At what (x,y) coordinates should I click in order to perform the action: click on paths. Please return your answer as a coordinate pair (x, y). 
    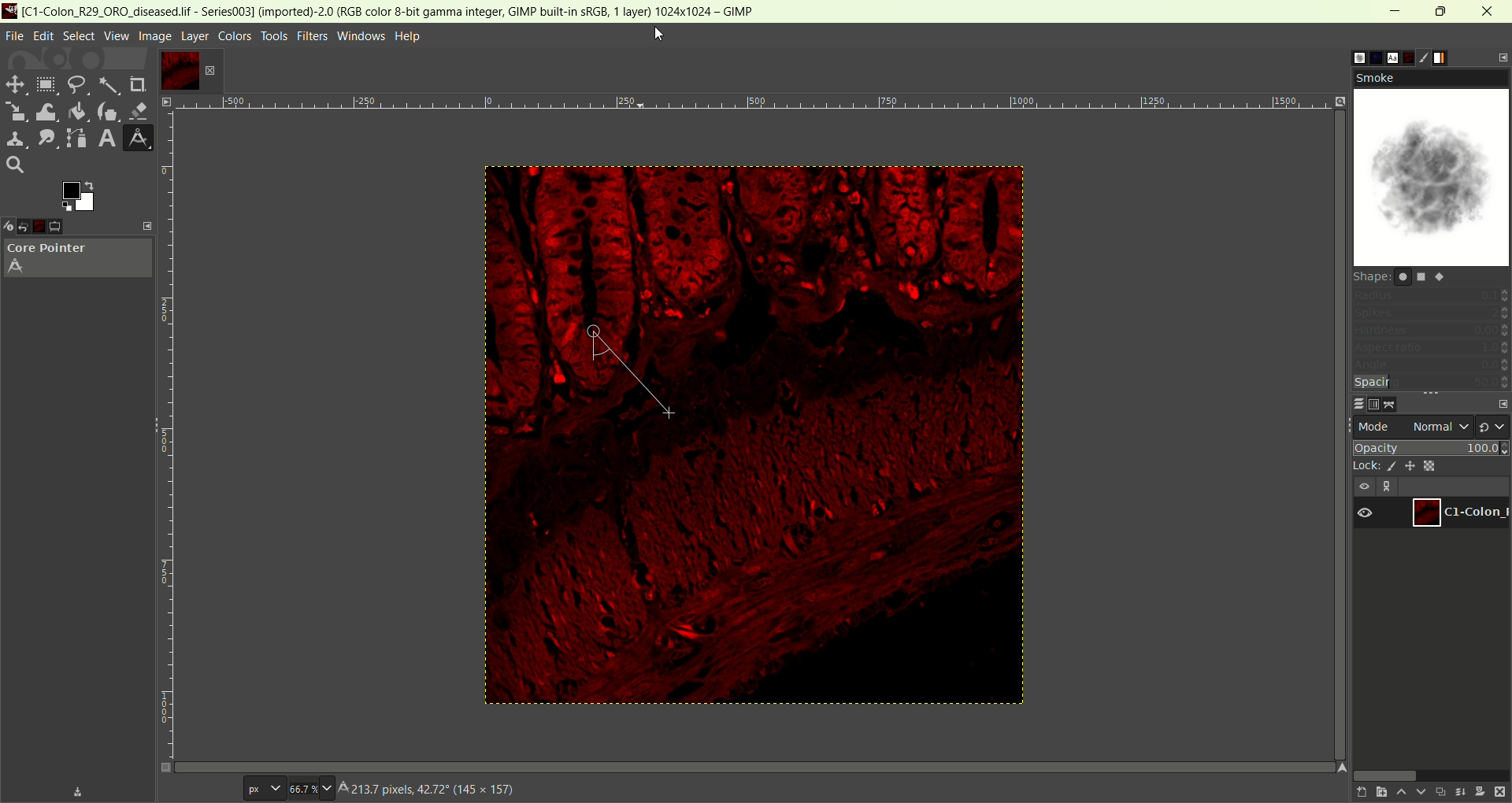
    Looking at the image, I should click on (1394, 404).